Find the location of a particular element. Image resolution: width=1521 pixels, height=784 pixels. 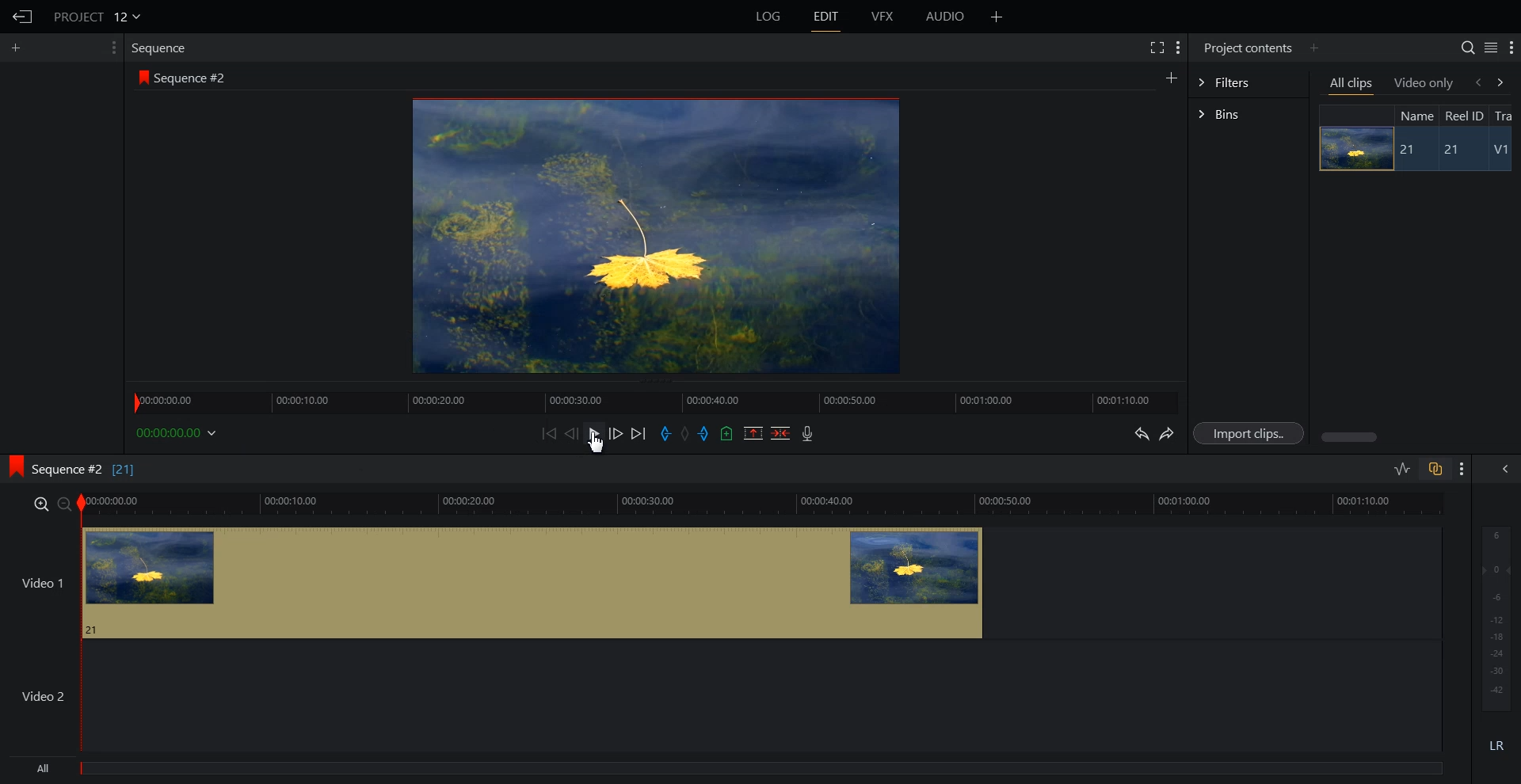

00:00:00.00 is located at coordinates (179, 432).